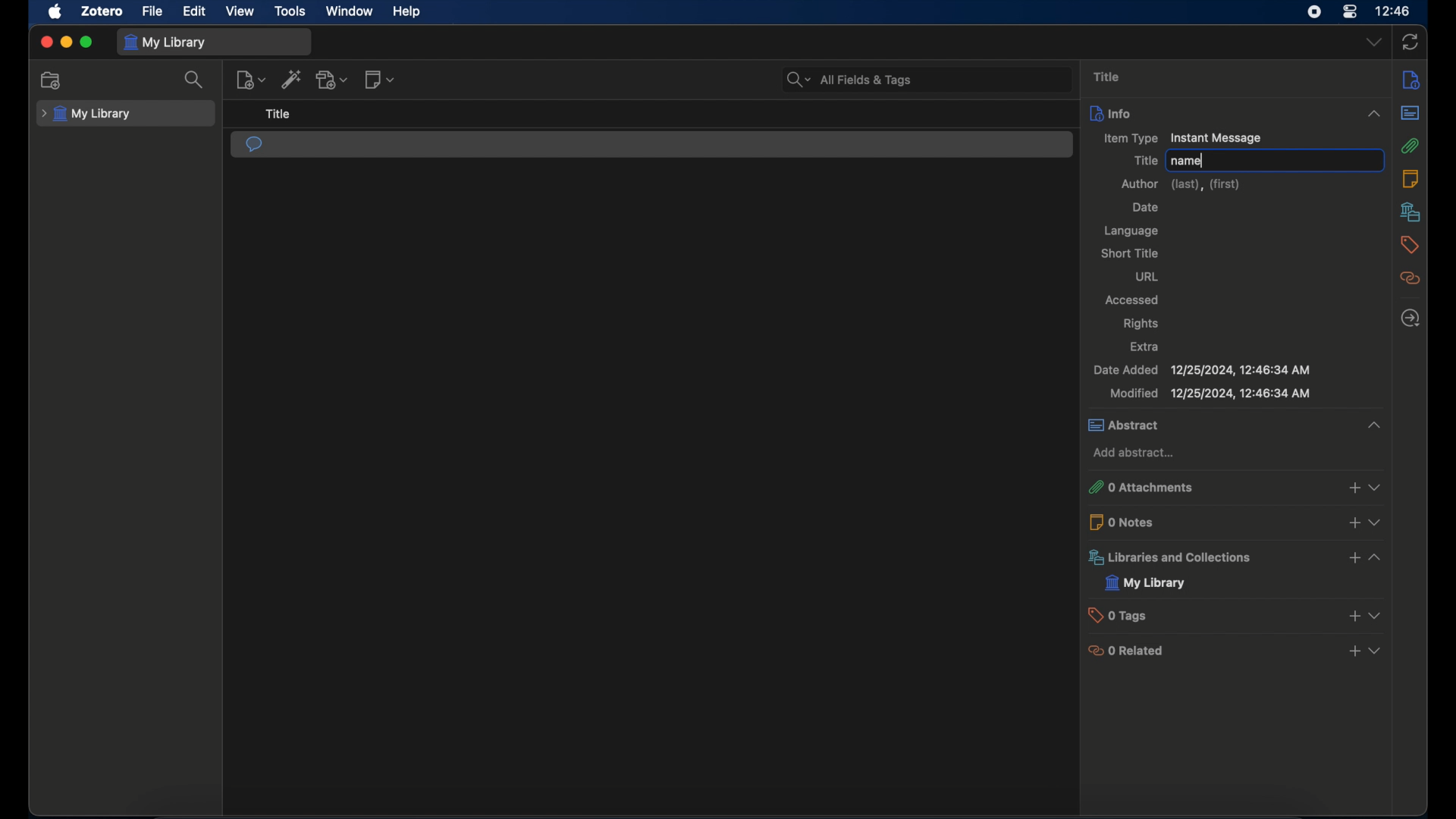  What do you see at coordinates (1134, 453) in the screenshot?
I see `add abstract` at bounding box center [1134, 453].